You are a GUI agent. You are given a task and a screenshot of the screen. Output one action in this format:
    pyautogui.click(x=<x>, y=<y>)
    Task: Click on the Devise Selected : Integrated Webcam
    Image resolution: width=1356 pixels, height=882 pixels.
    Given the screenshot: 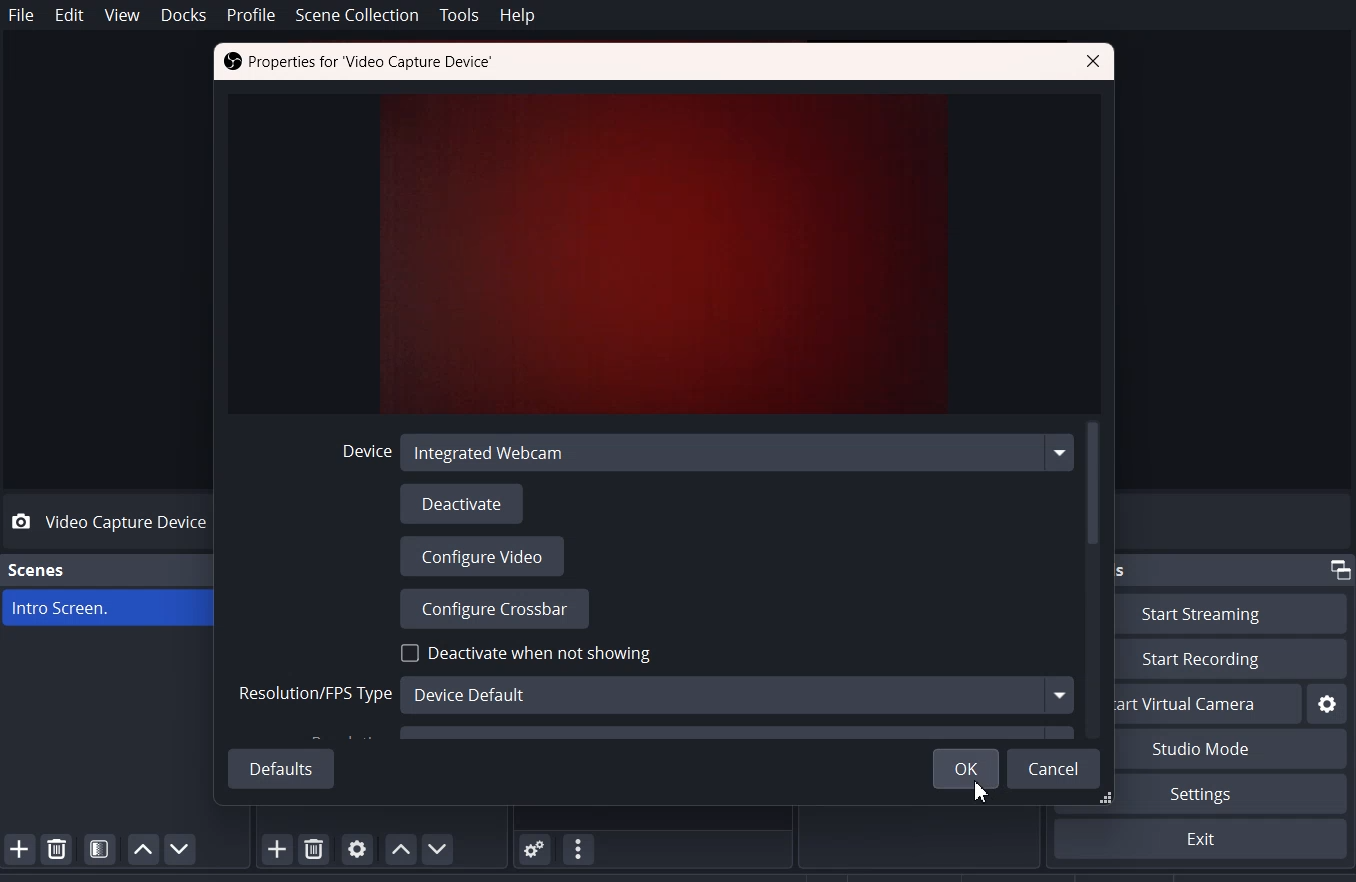 What is the action you would take?
    pyautogui.click(x=701, y=452)
    